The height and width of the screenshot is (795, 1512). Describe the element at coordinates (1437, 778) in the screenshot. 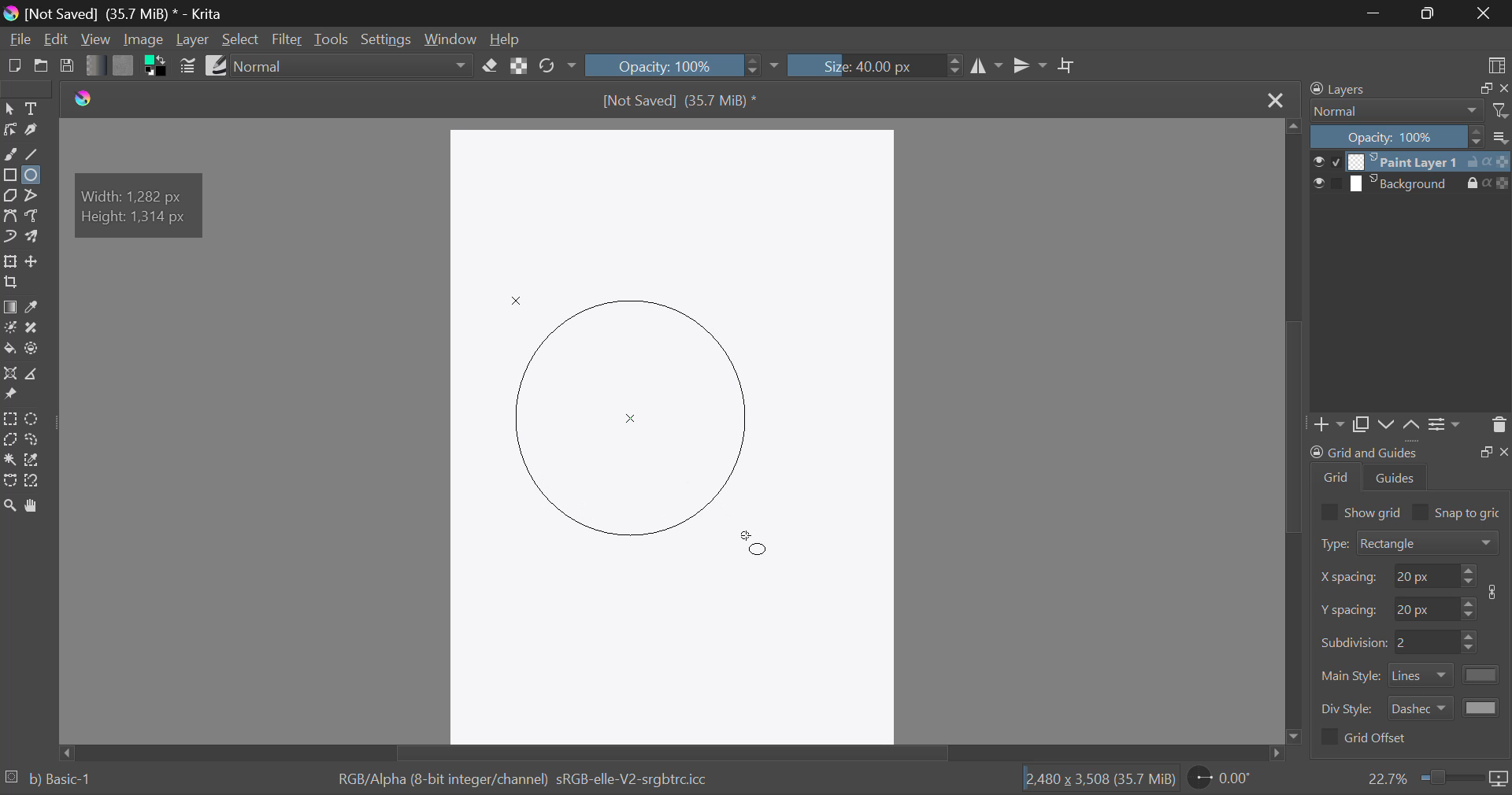

I see `Zoom` at that location.